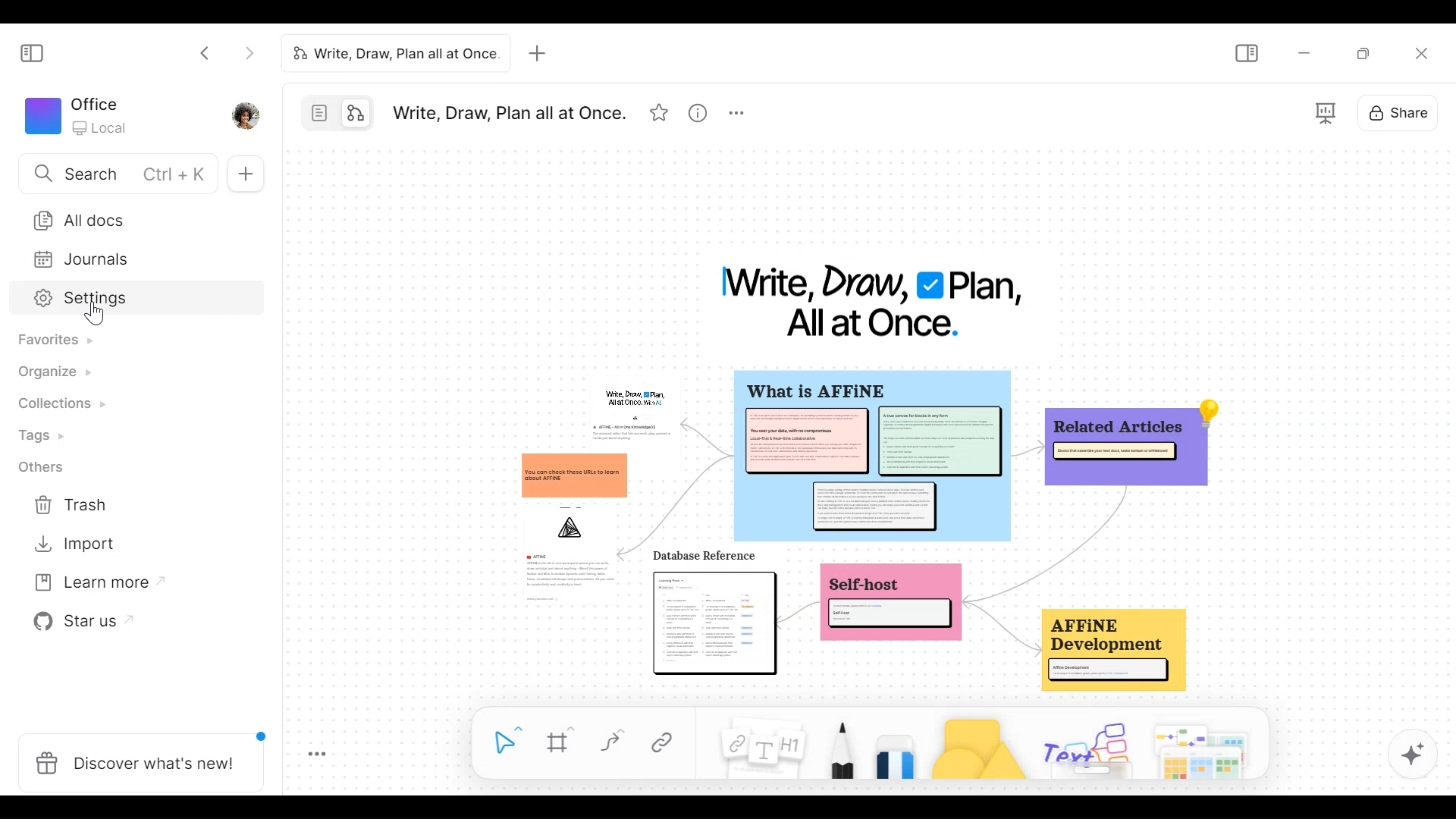 This screenshot has width=1456, height=819. Describe the element at coordinates (78, 220) in the screenshot. I see `All documents` at that location.